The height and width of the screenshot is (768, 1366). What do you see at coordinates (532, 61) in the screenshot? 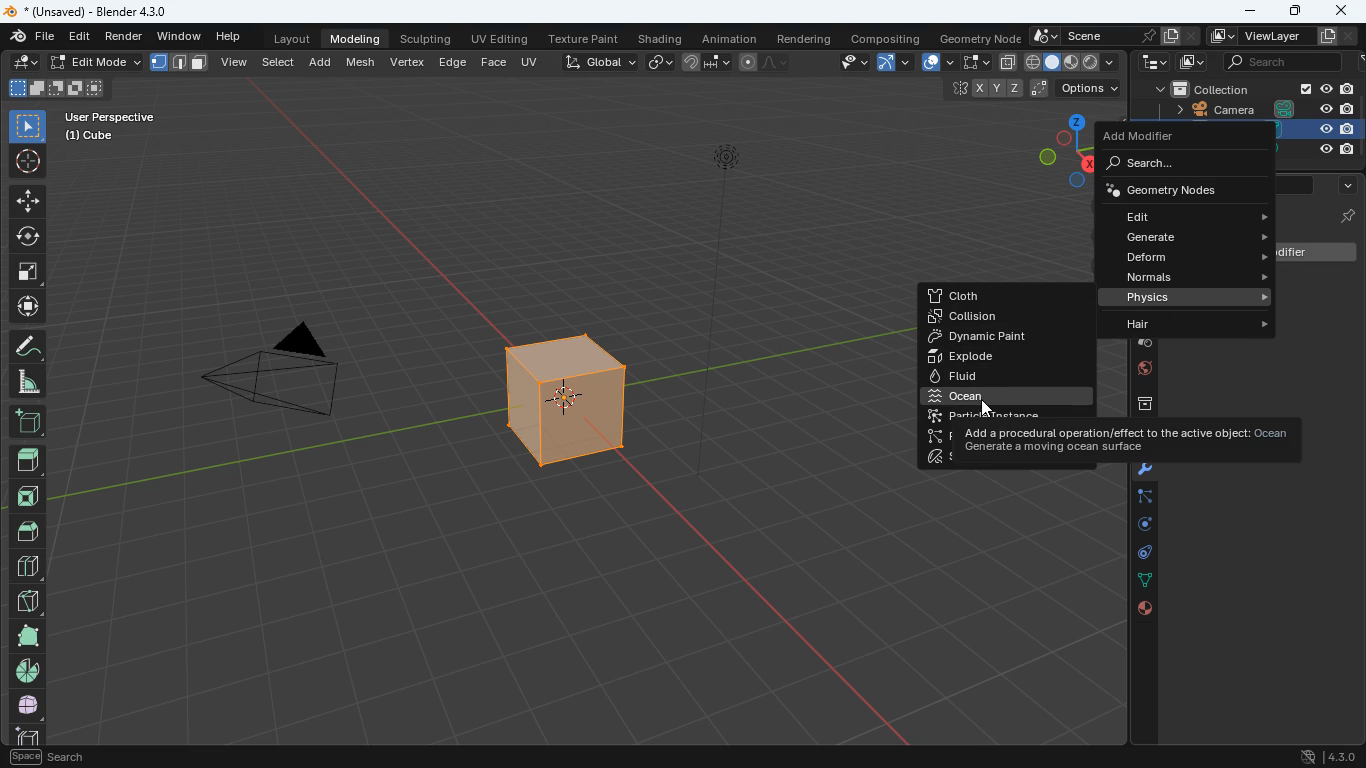
I see `uv` at bounding box center [532, 61].